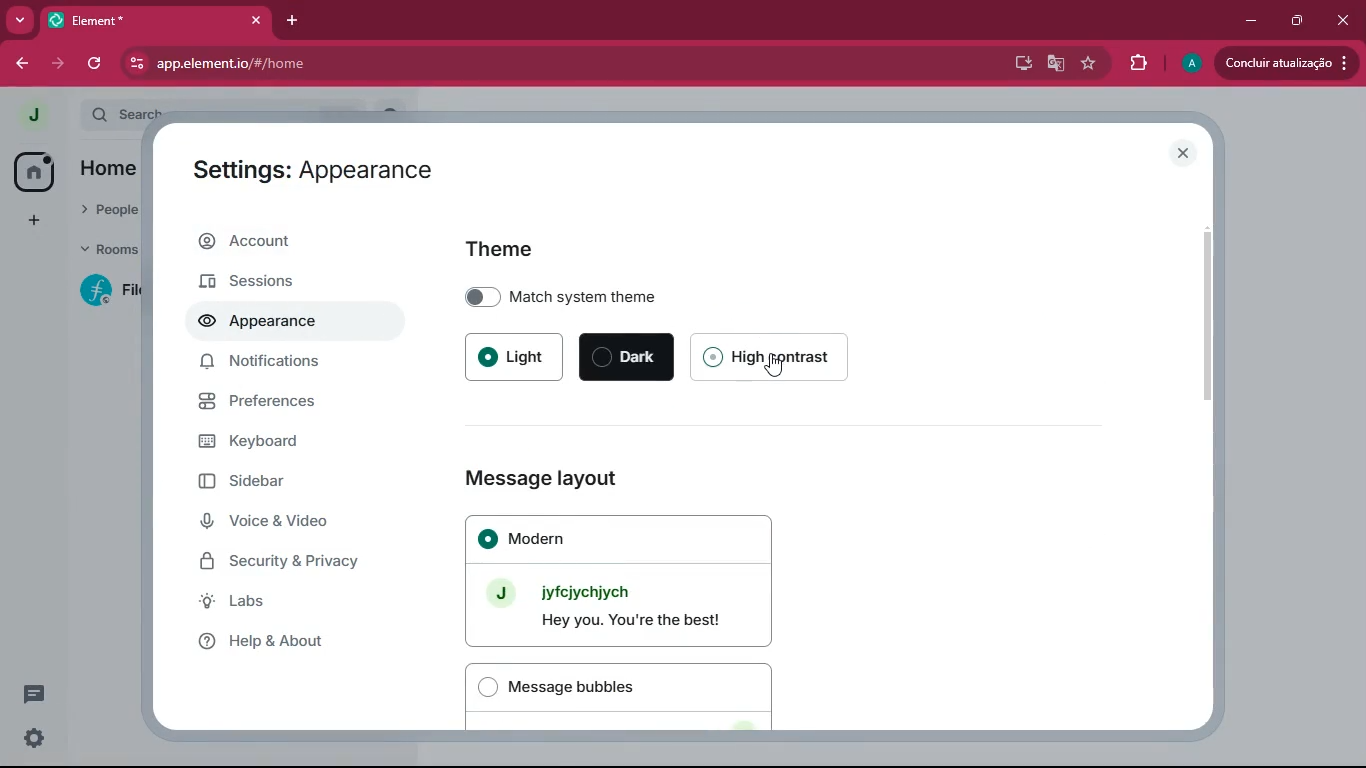 The height and width of the screenshot is (768, 1366). I want to click on home, so click(31, 171).